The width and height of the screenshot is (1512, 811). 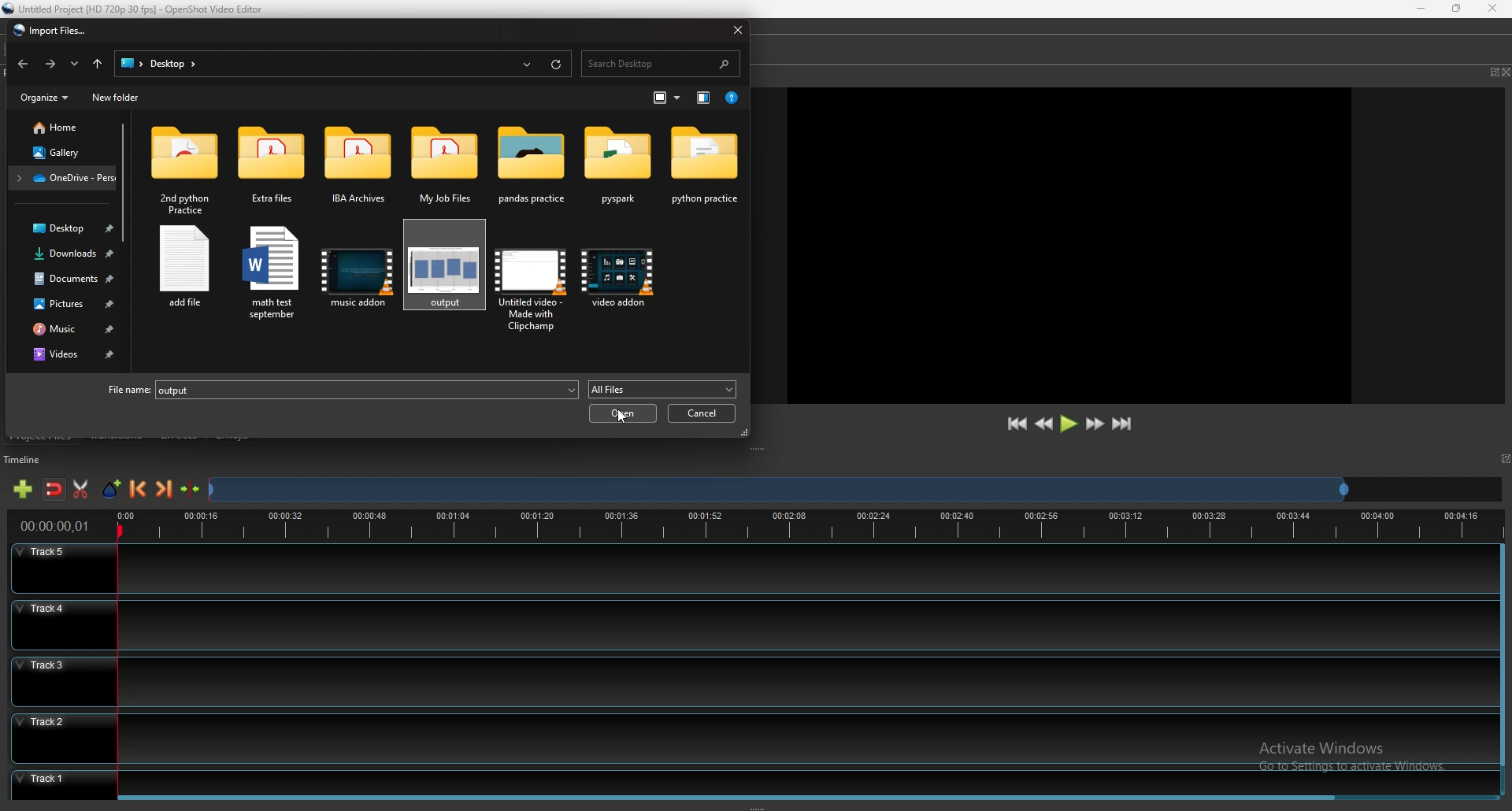 I want to click on jump to start, so click(x=1016, y=424).